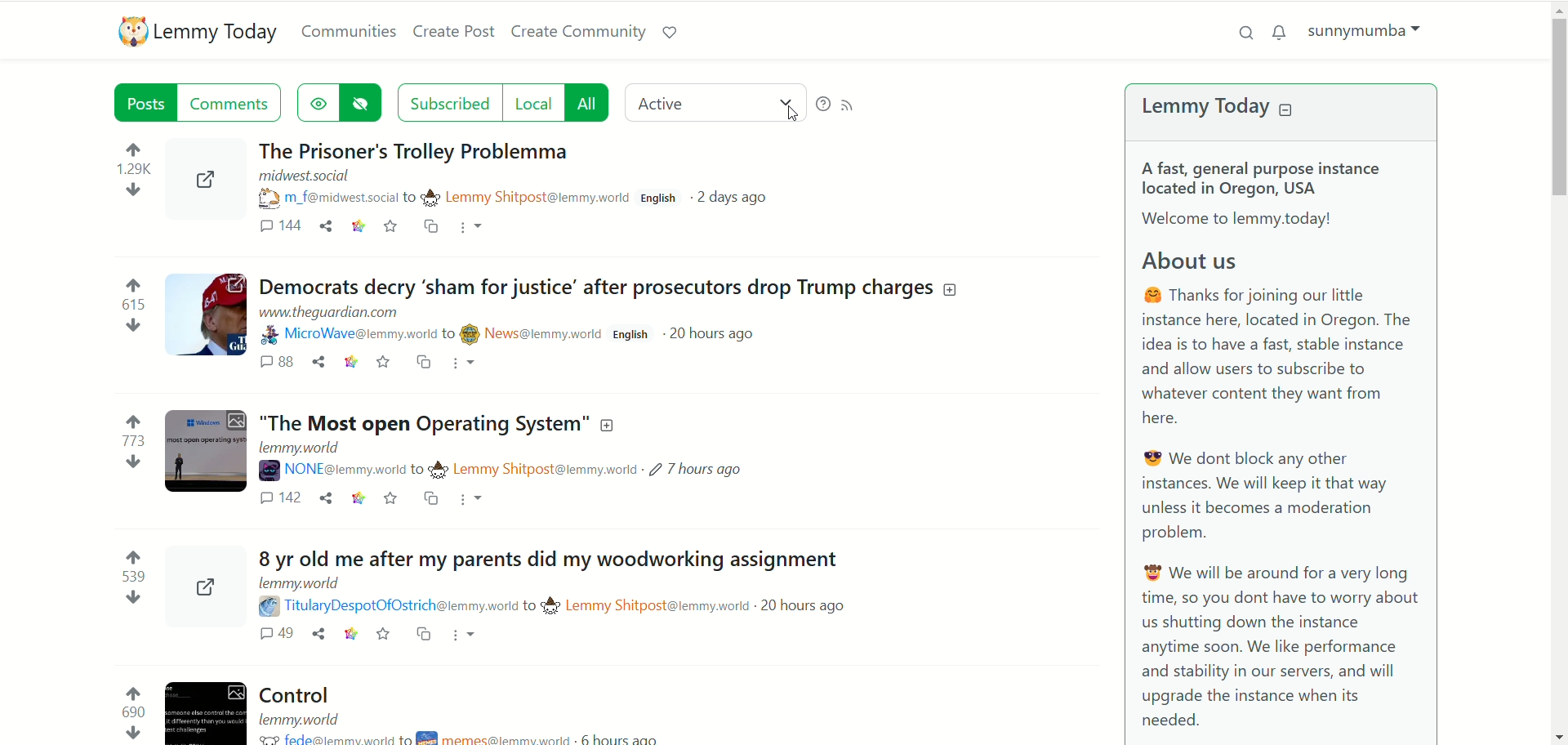  Describe the element at coordinates (394, 498) in the screenshot. I see `favorite` at that location.